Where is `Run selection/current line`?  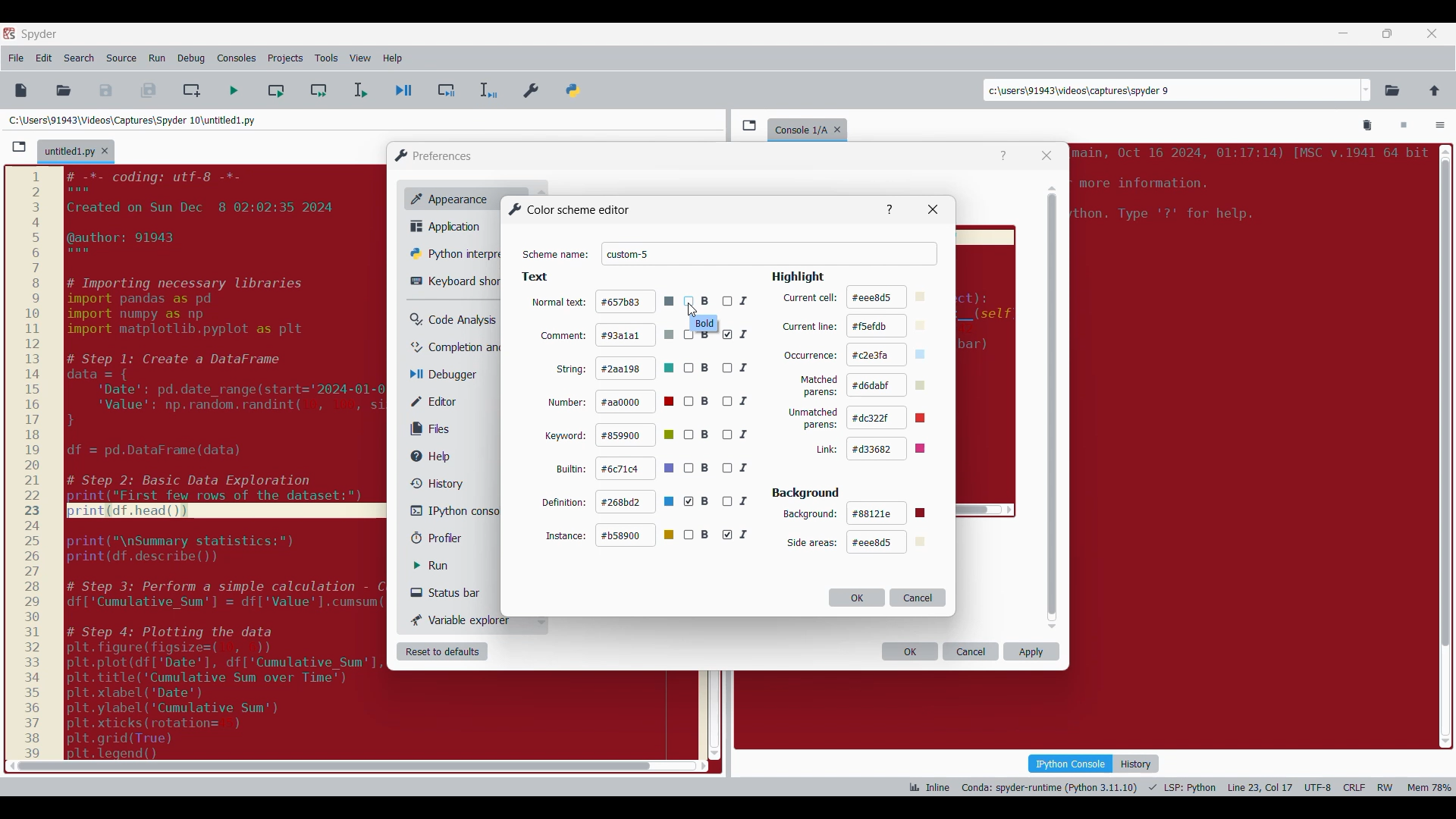
Run selection/current line is located at coordinates (359, 90).